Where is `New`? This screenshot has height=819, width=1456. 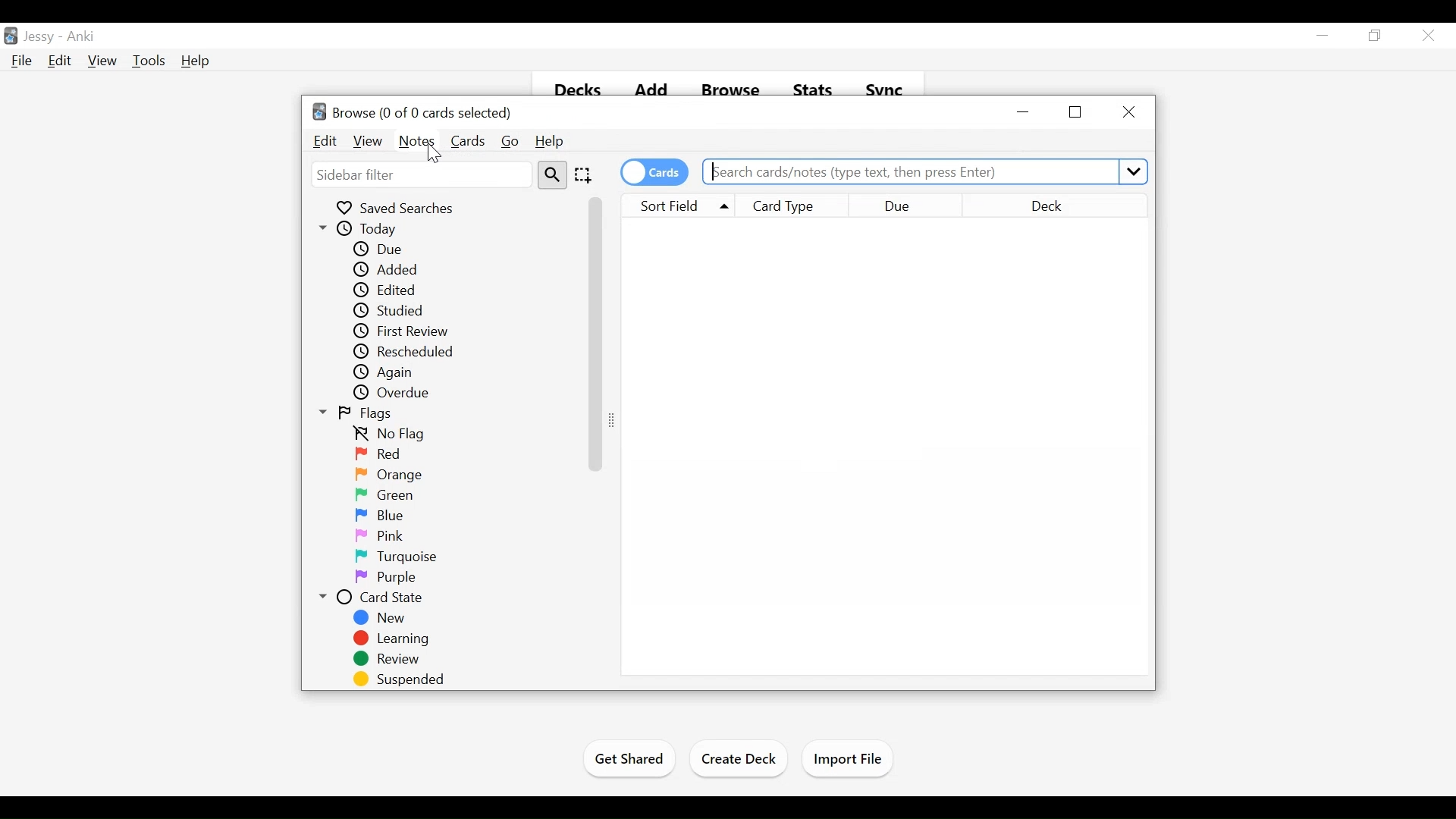
New is located at coordinates (384, 618).